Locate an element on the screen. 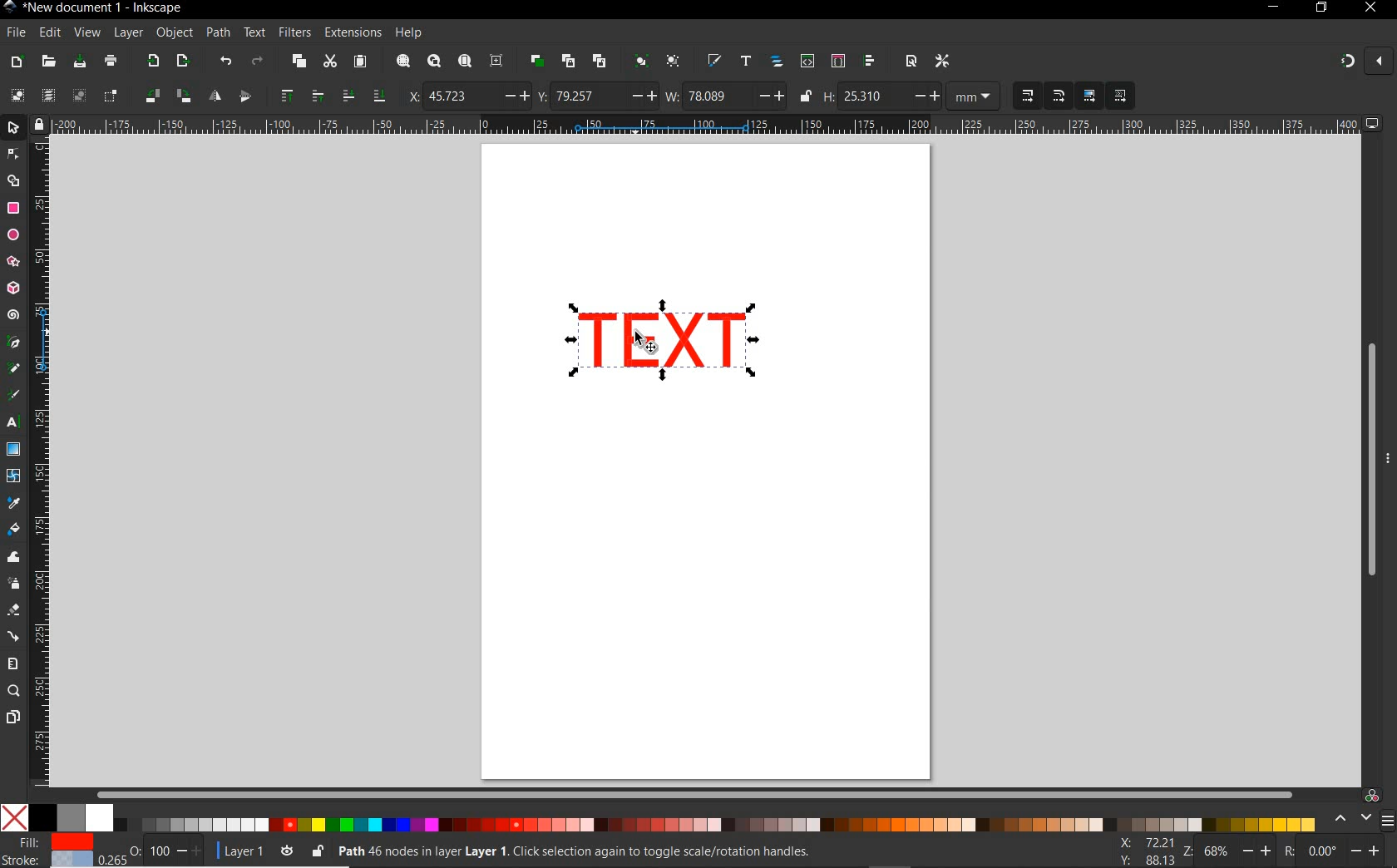 This screenshot has height=868, width=1397. DROPPER TOOL is located at coordinates (13, 504).